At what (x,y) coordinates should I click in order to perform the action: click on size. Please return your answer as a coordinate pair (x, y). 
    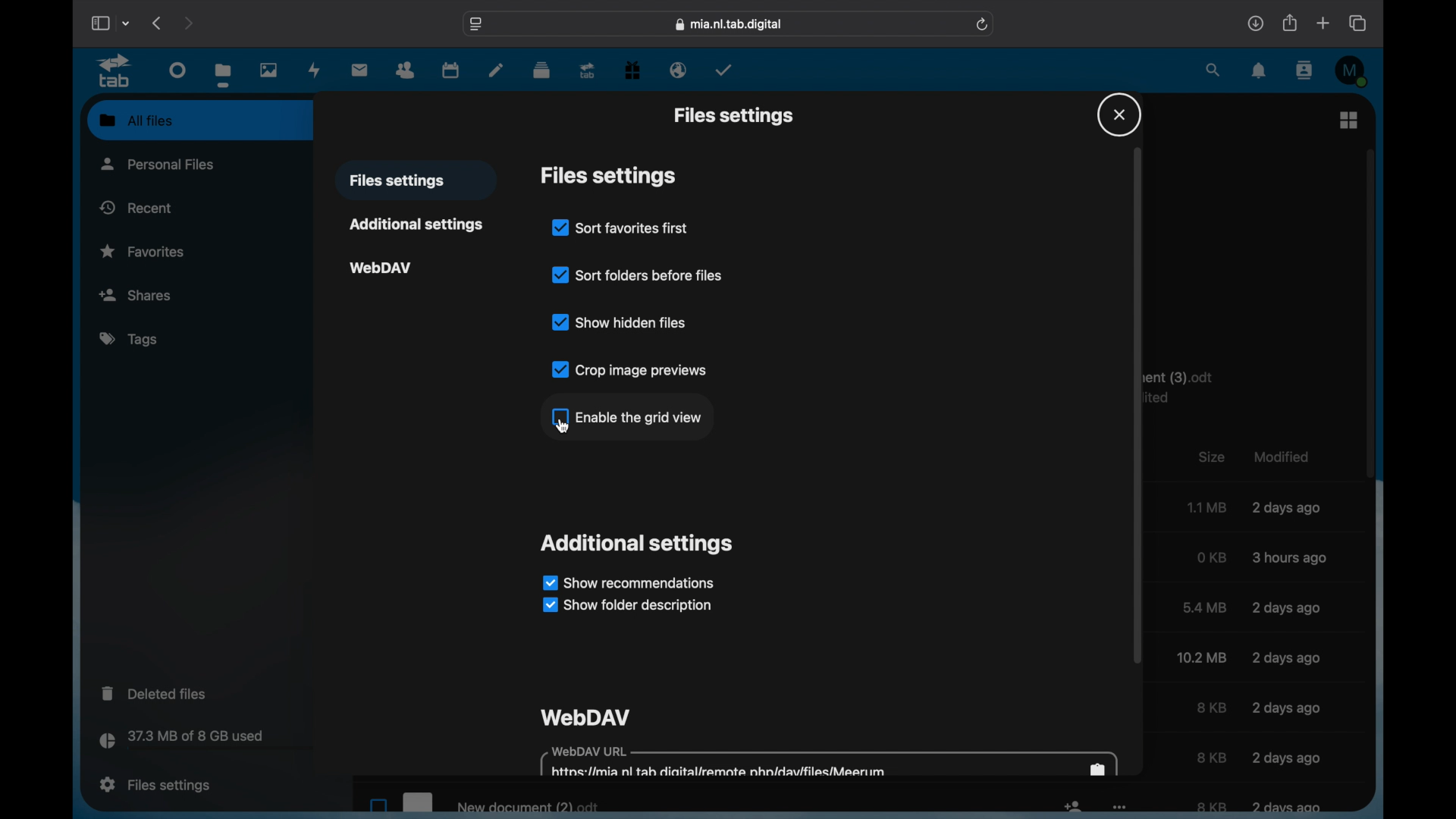
    Looking at the image, I should click on (1205, 607).